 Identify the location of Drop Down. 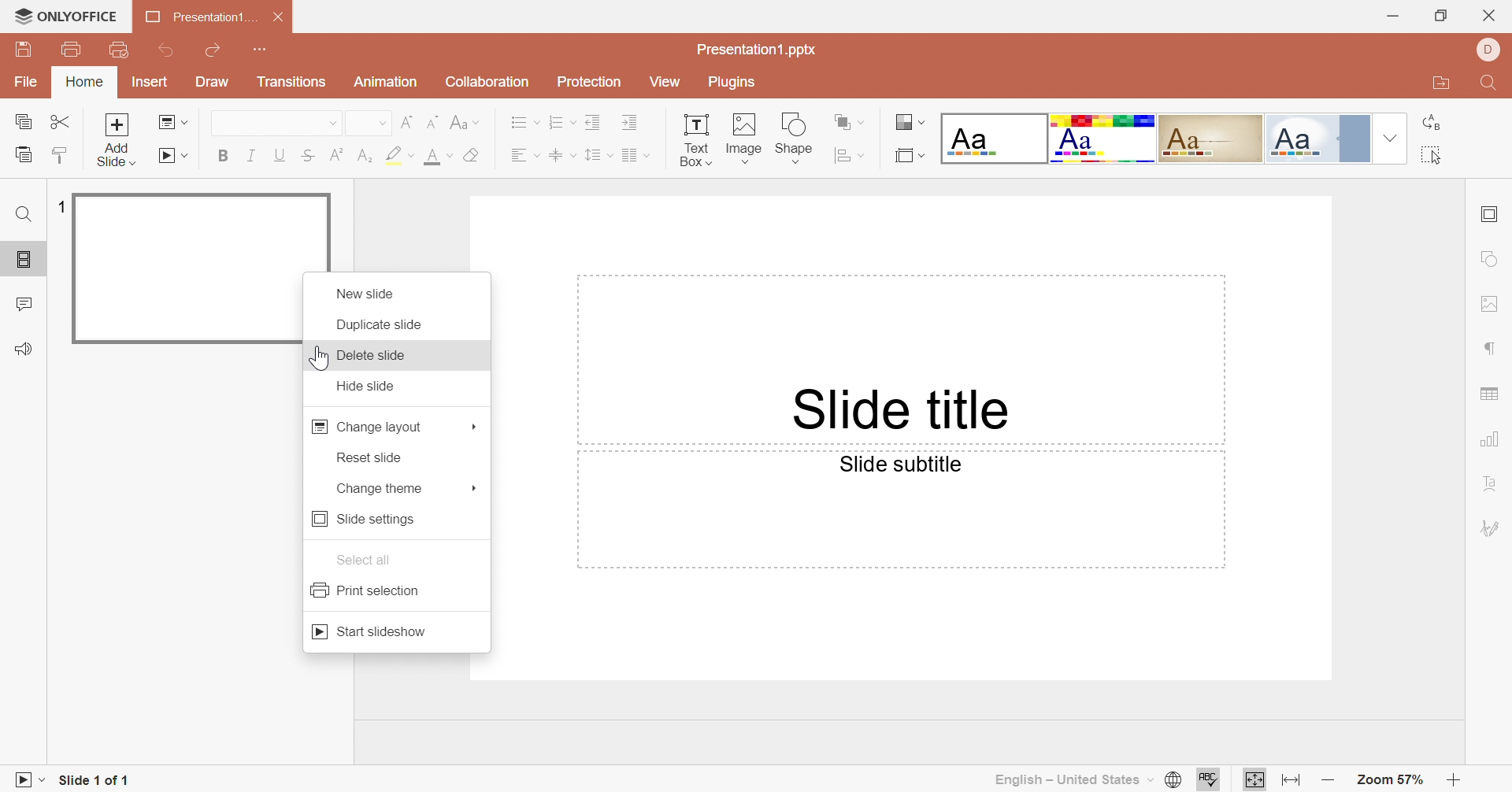
(921, 121).